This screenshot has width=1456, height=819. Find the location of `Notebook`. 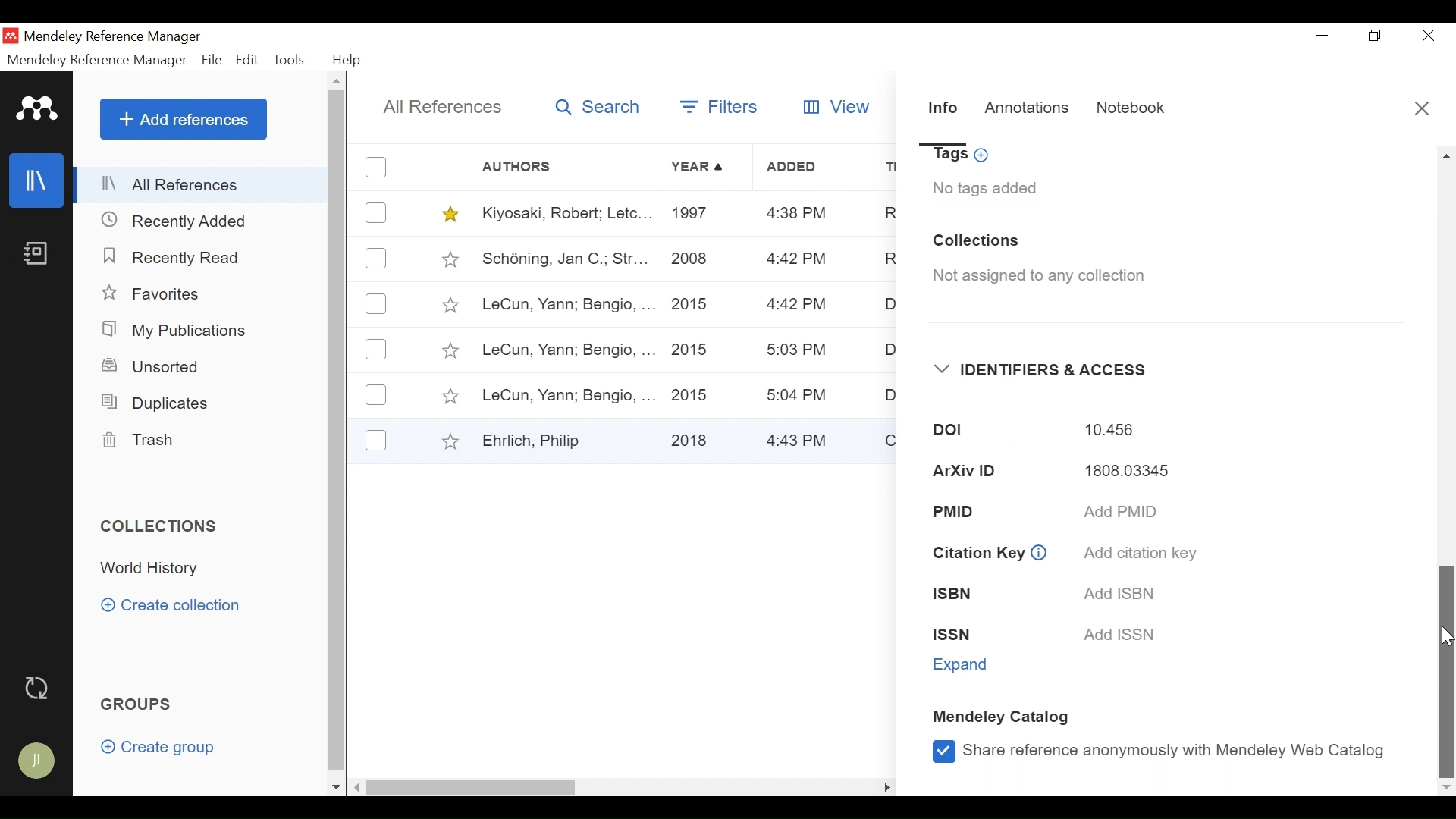

Notebook is located at coordinates (34, 257).